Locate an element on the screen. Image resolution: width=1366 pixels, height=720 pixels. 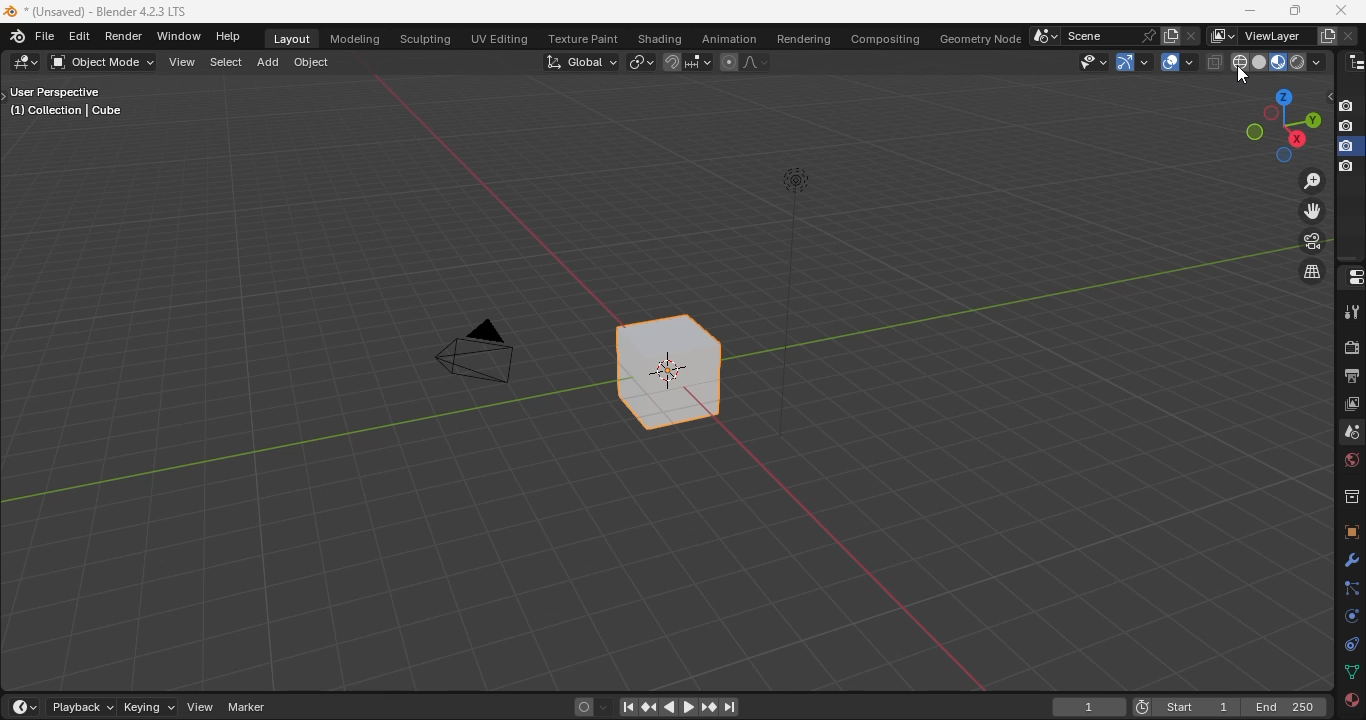
edit is located at coordinates (81, 36).